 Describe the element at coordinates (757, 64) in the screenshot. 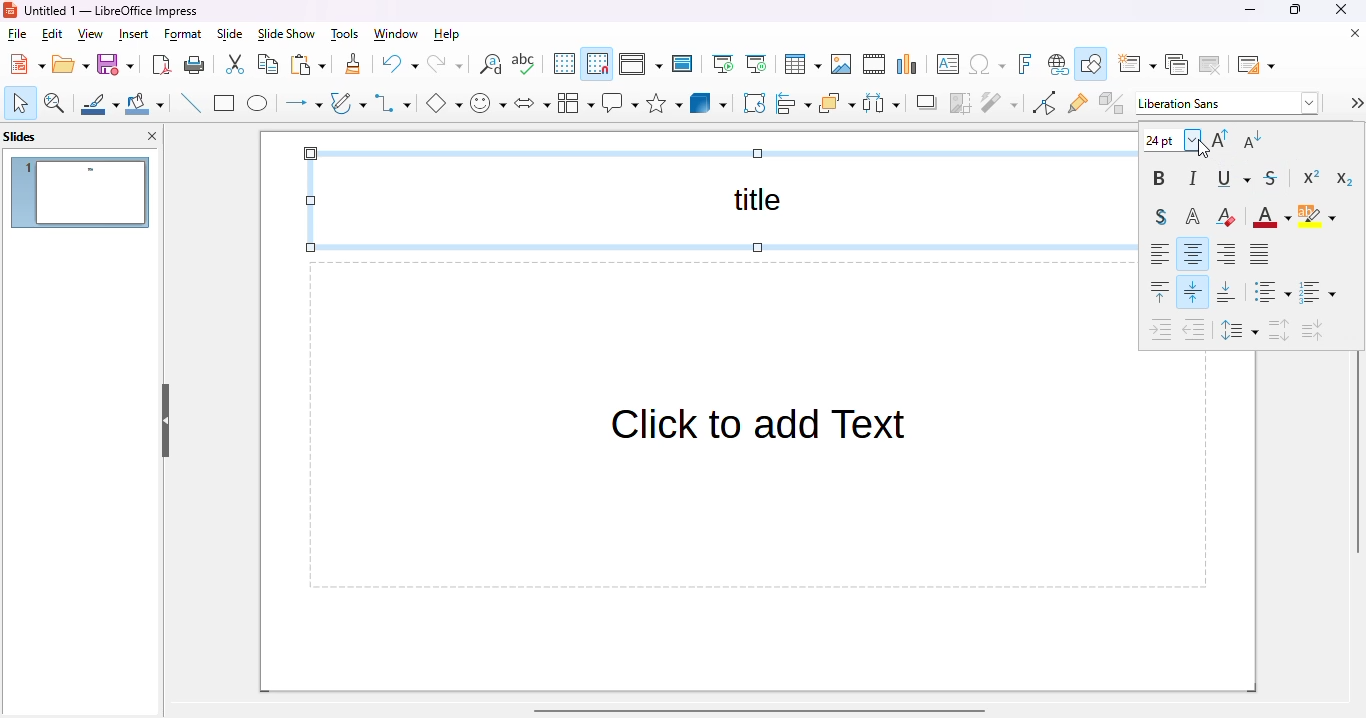

I see `start from current slide` at that location.